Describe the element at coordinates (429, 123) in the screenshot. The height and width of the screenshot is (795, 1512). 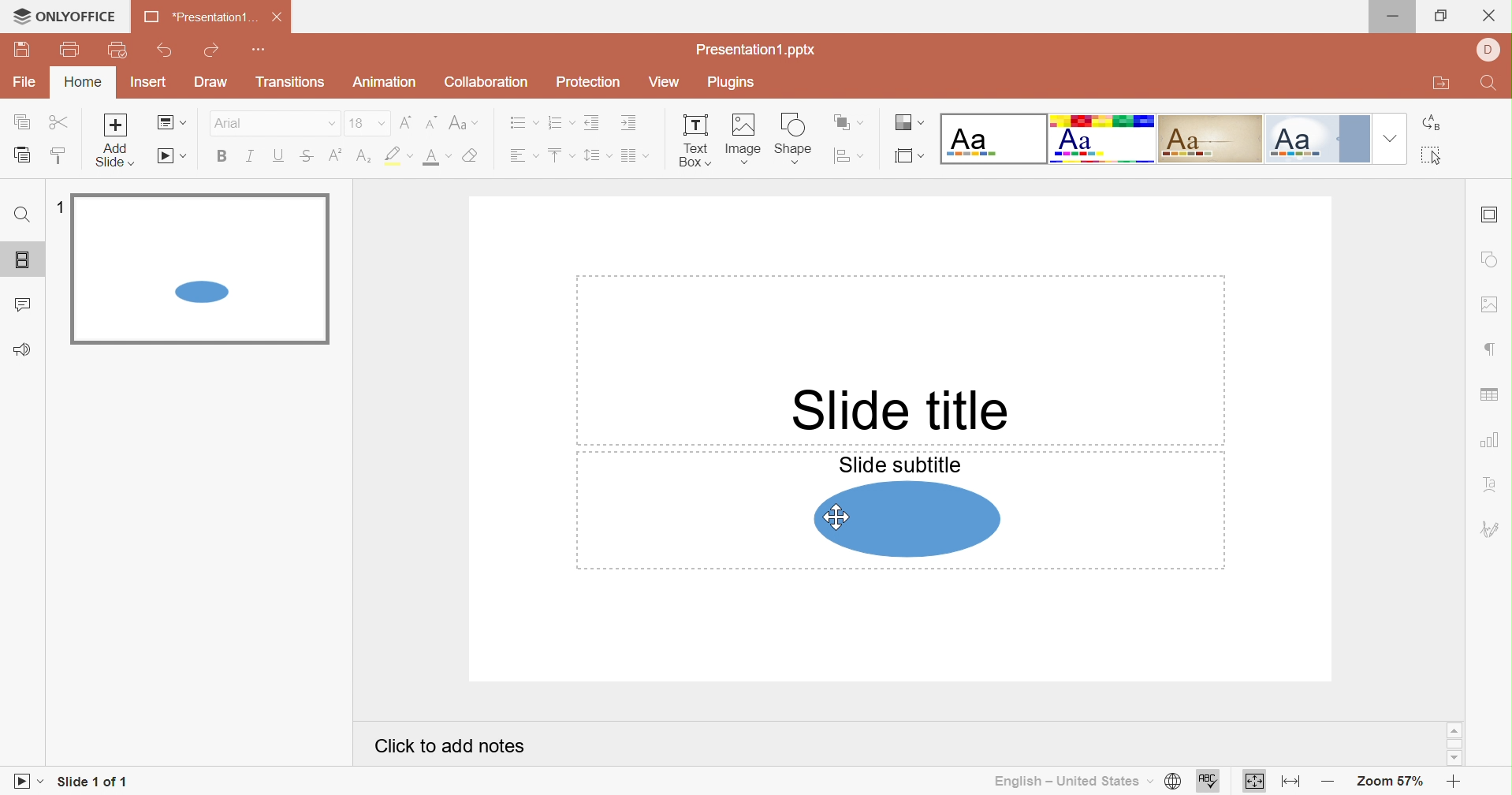
I see `Decrement font size` at that location.